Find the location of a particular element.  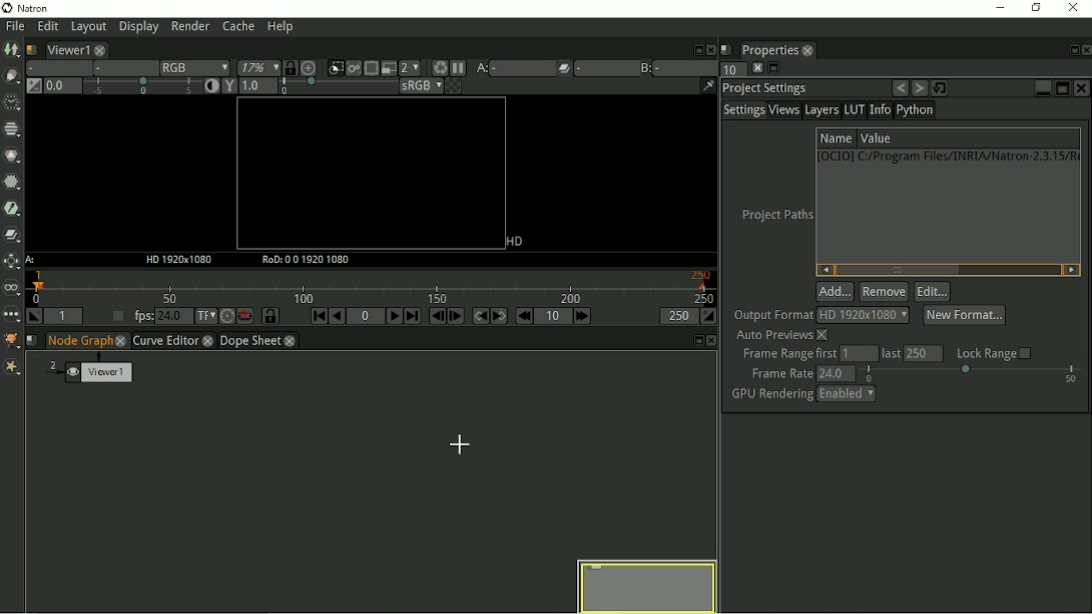

Next keyframe is located at coordinates (500, 317).